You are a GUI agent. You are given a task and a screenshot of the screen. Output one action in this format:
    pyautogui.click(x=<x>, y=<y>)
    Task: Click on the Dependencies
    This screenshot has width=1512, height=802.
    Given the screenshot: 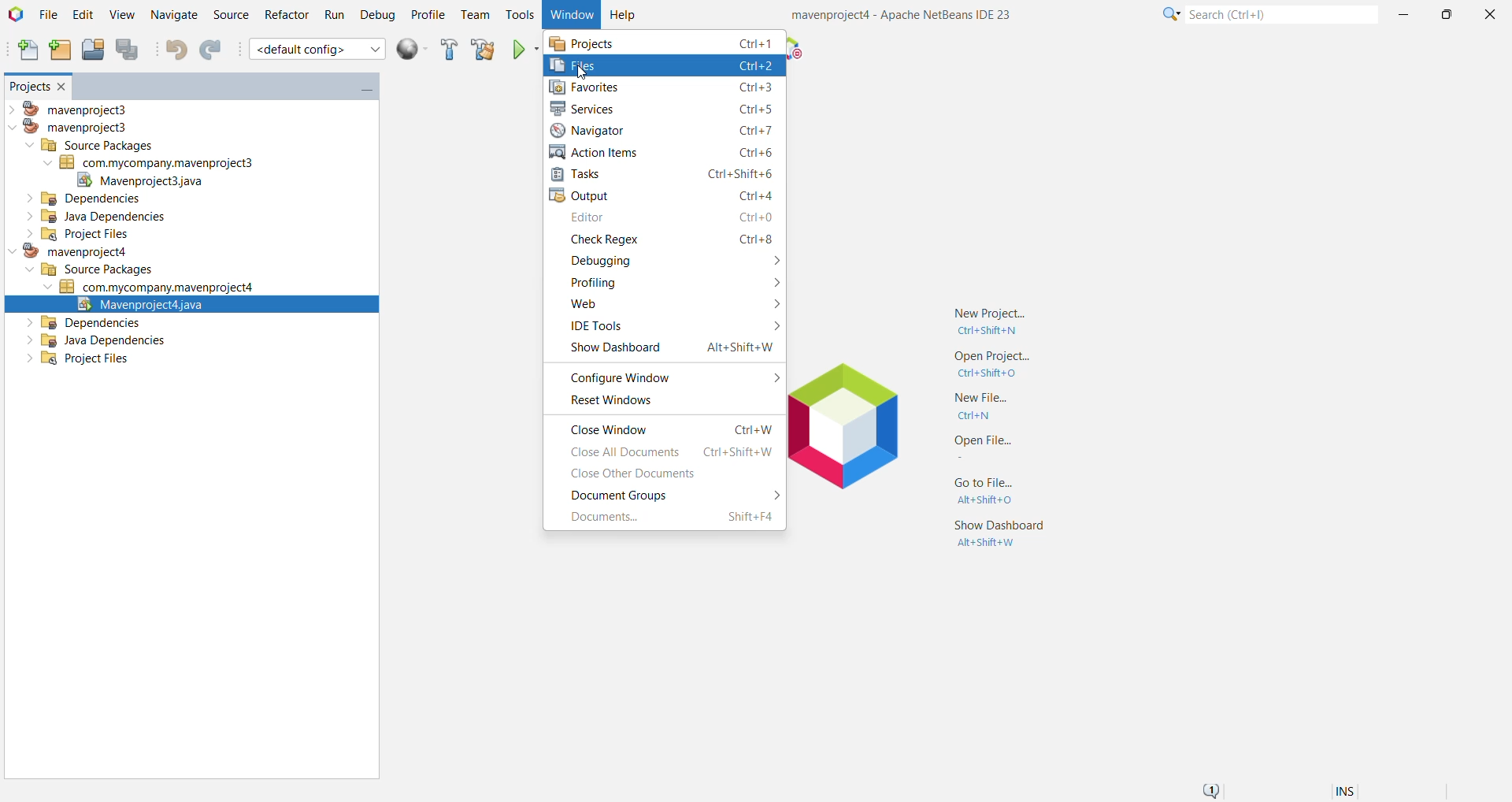 What is the action you would take?
    pyautogui.click(x=84, y=199)
    